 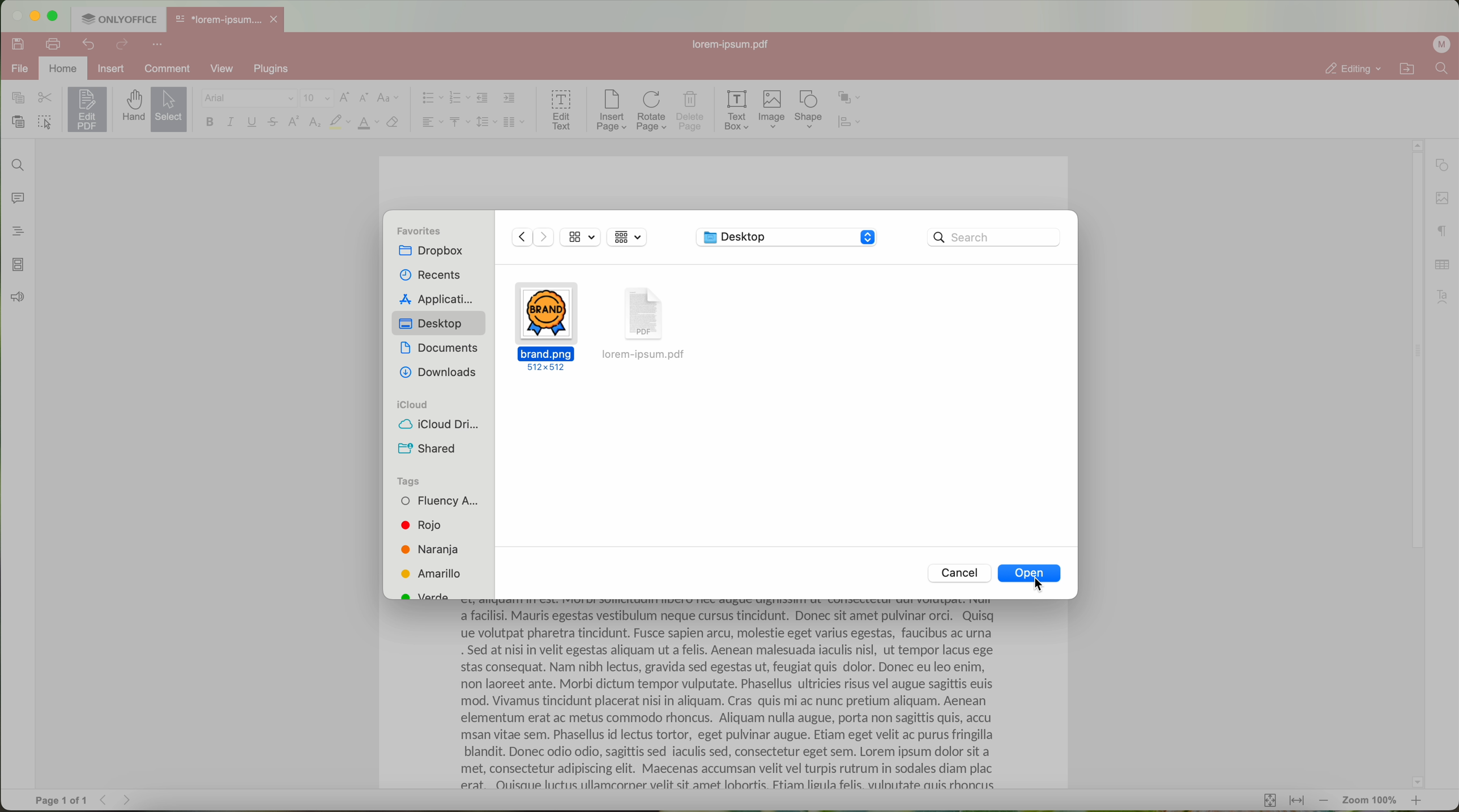 I want to click on line spacing, so click(x=487, y=122).